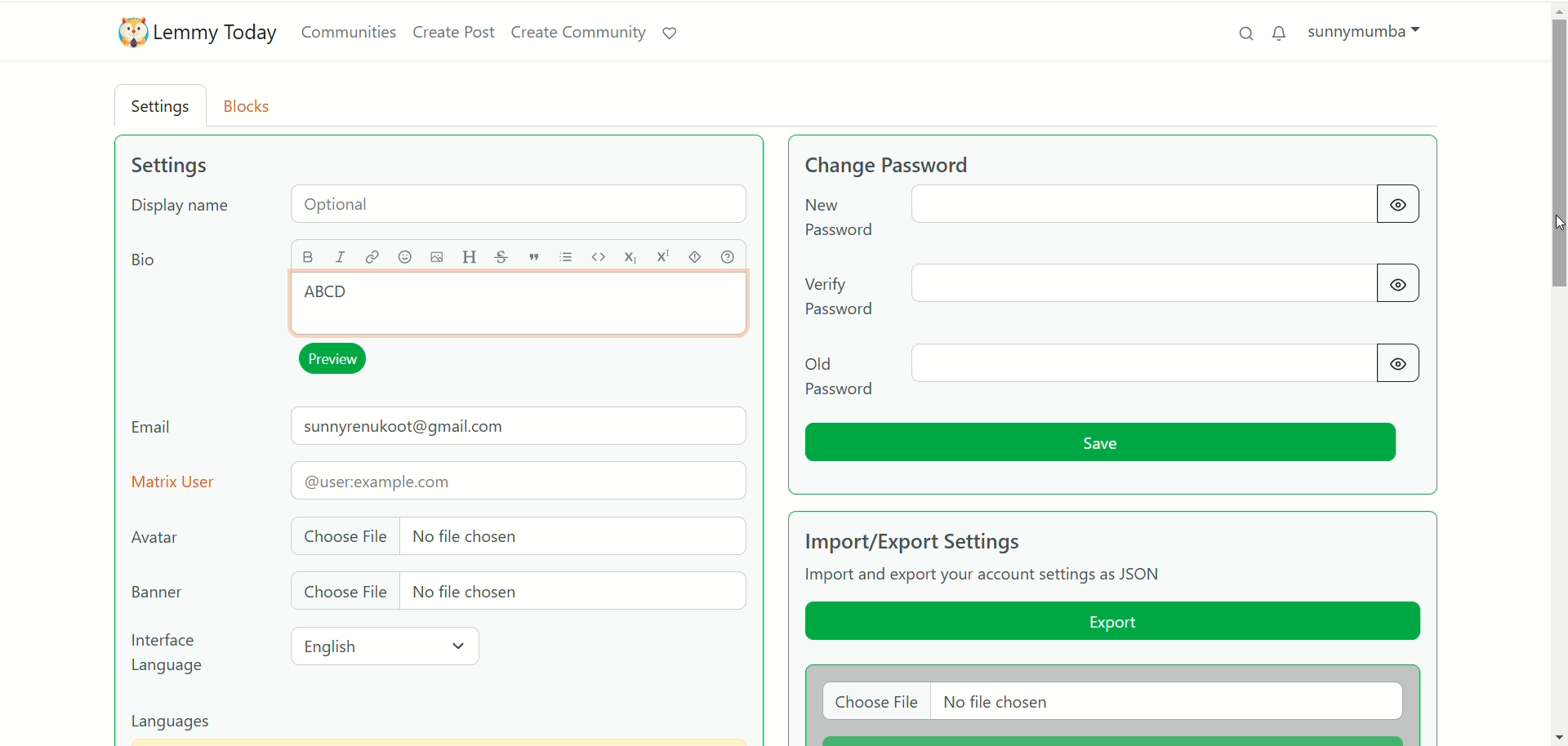 The height and width of the screenshot is (746, 1568). I want to click on change password, so click(917, 163).